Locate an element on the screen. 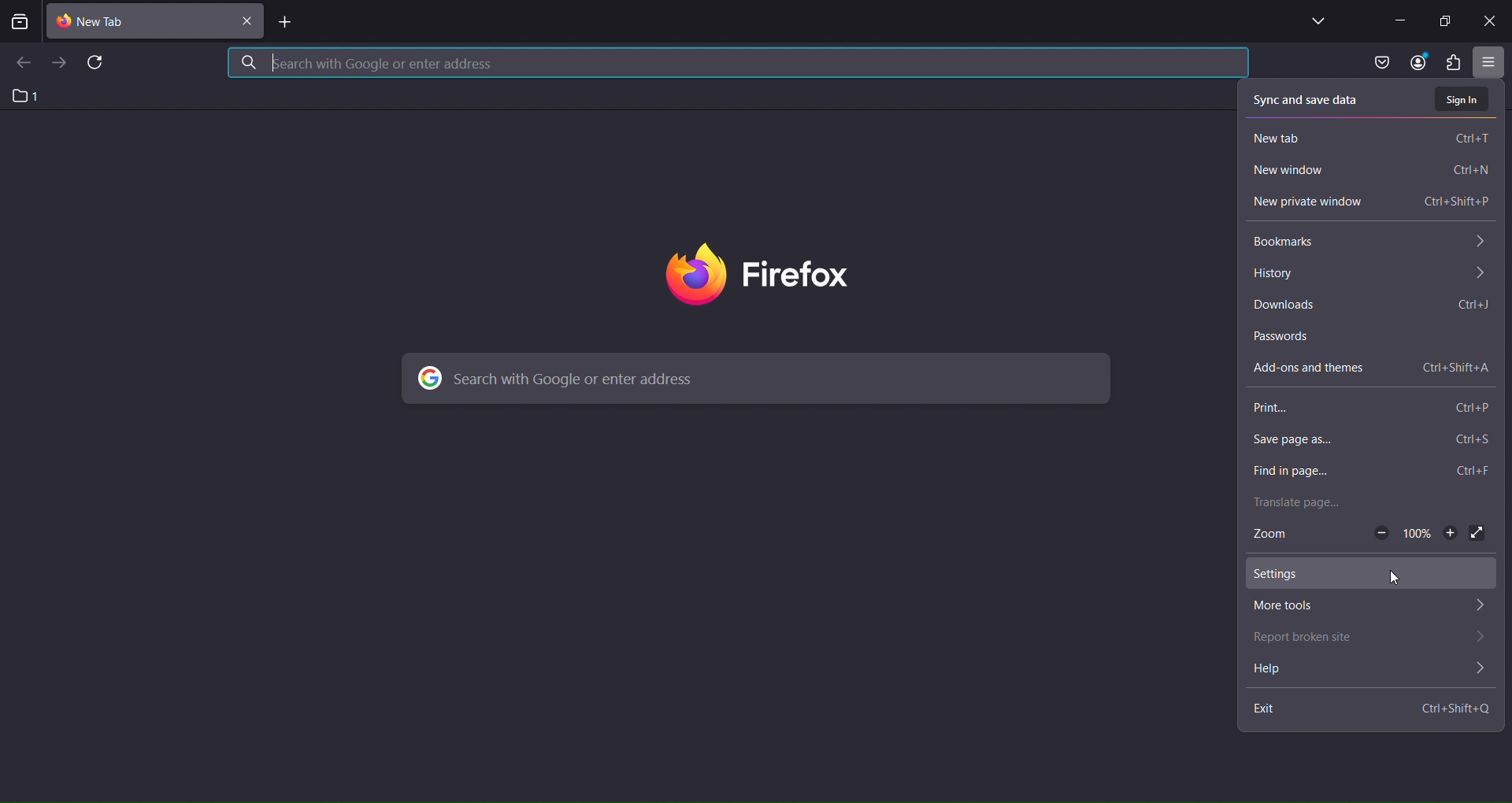 This screenshot has width=1512, height=803. zoom is located at coordinates (1273, 538).